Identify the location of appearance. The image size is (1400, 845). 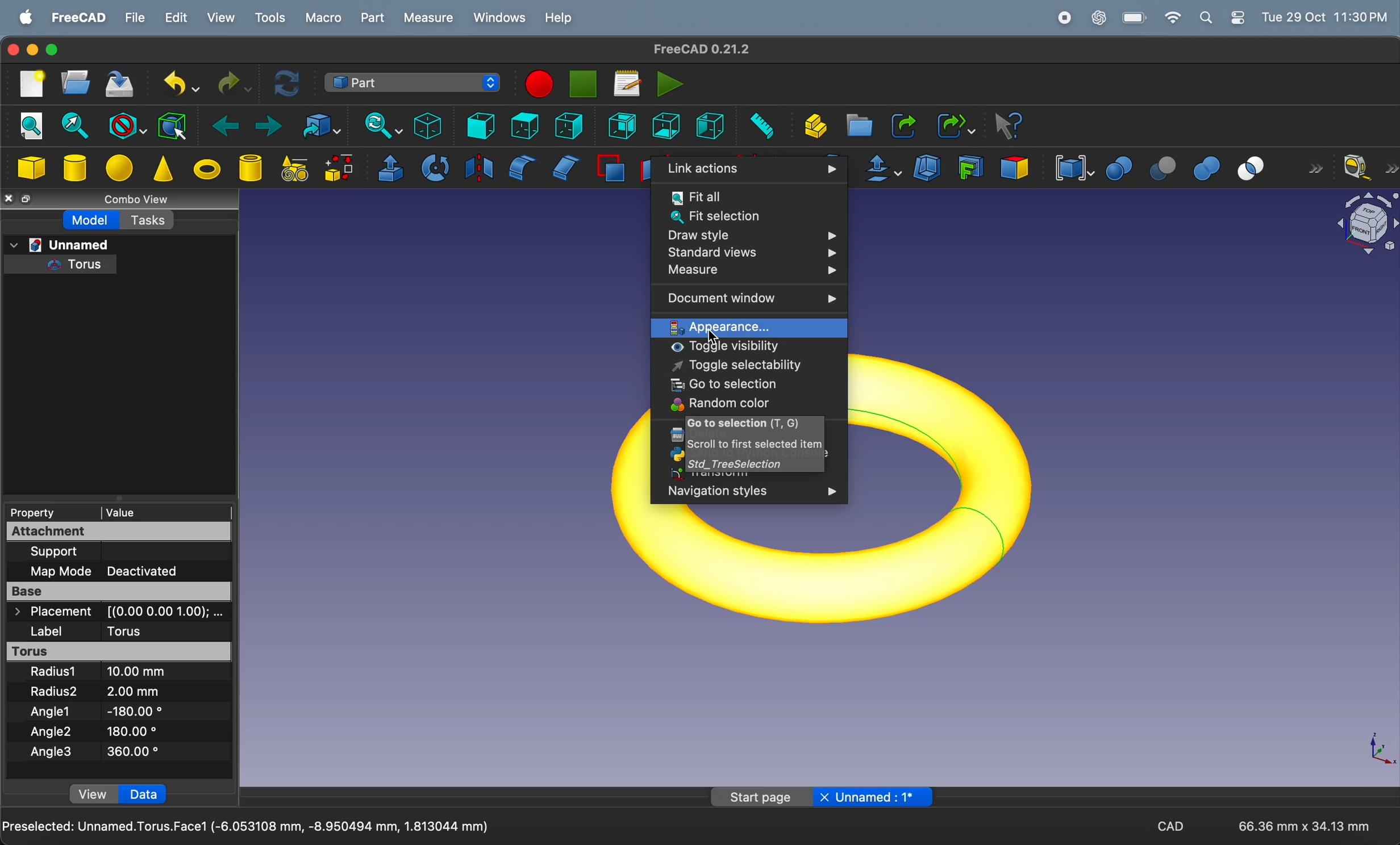
(727, 327).